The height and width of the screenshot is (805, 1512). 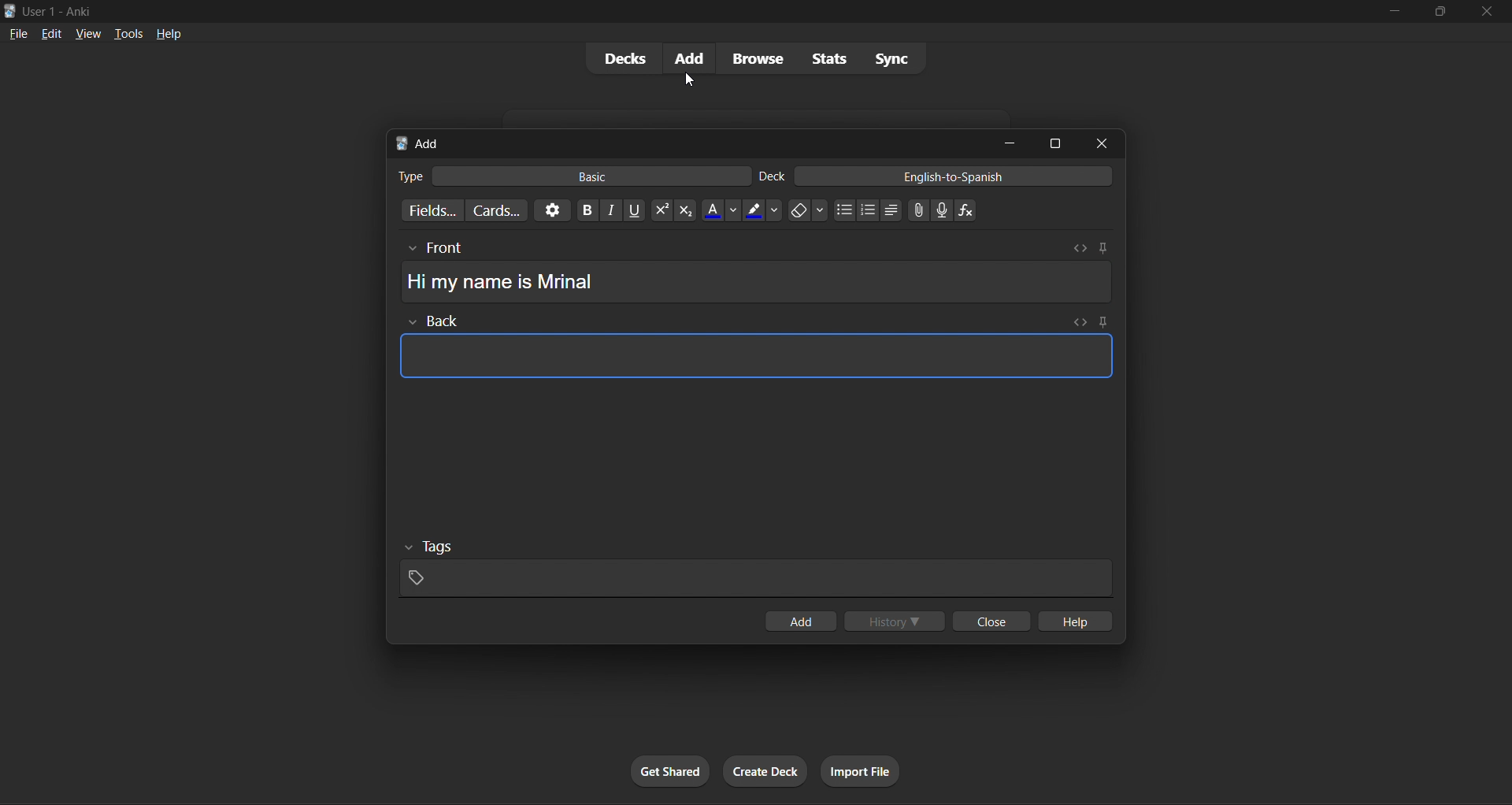 What do you see at coordinates (669, 770) in the screenshot?
I see `get shared` at bounding box center [669, 770].